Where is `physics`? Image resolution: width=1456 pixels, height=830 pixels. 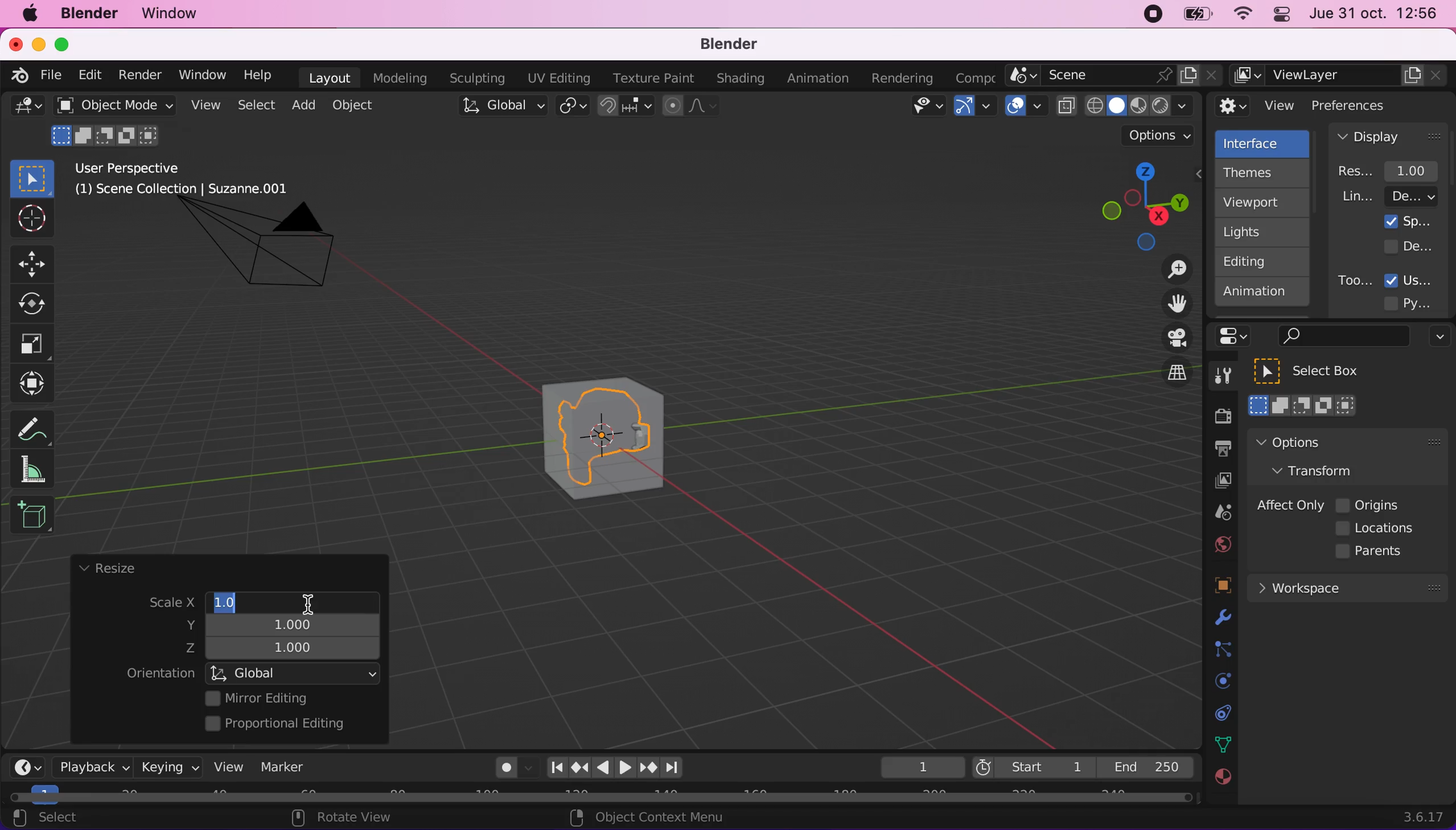 physics is located at coordinates (1220, 619).